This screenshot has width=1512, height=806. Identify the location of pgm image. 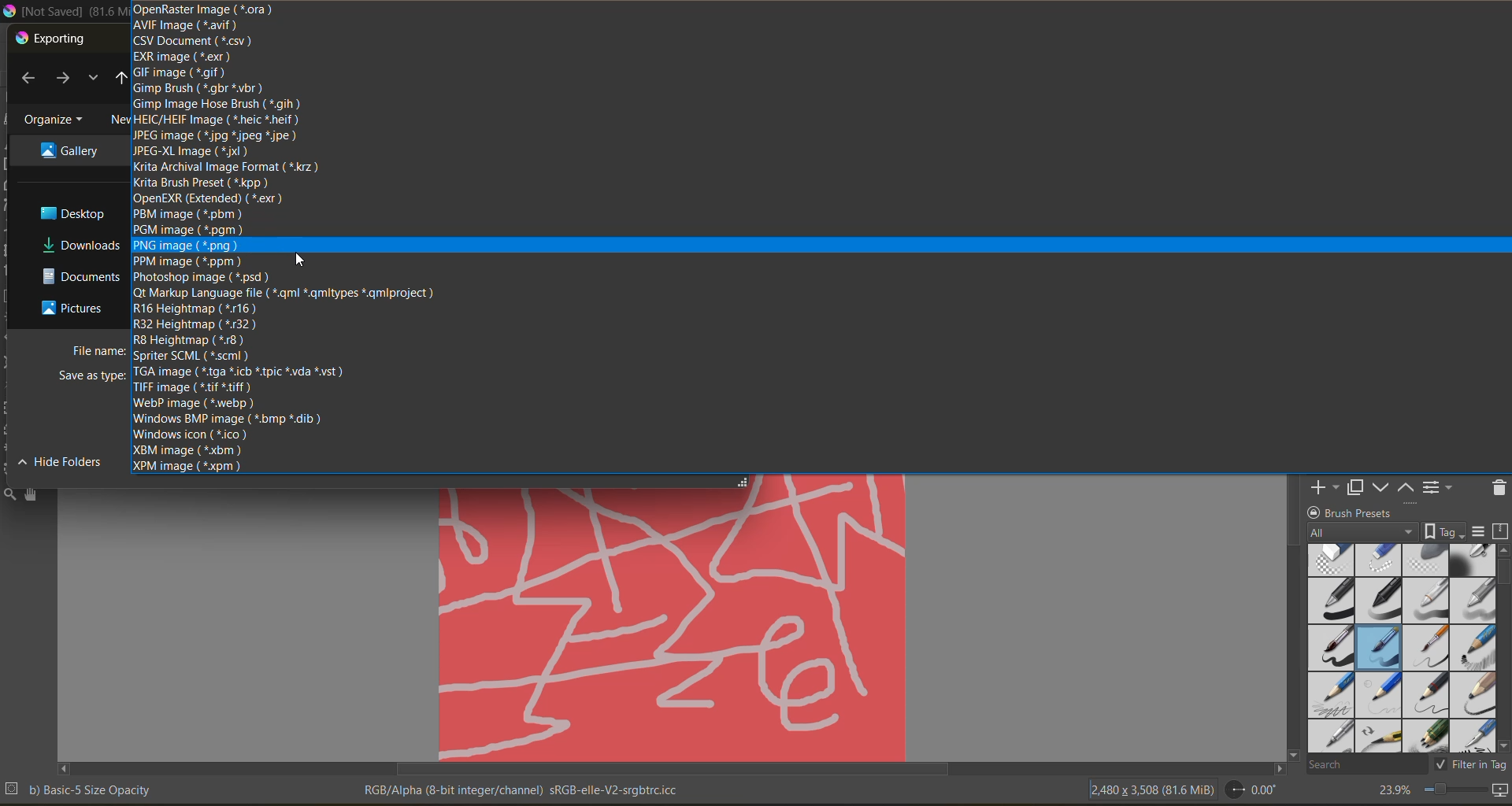
(190, 231).